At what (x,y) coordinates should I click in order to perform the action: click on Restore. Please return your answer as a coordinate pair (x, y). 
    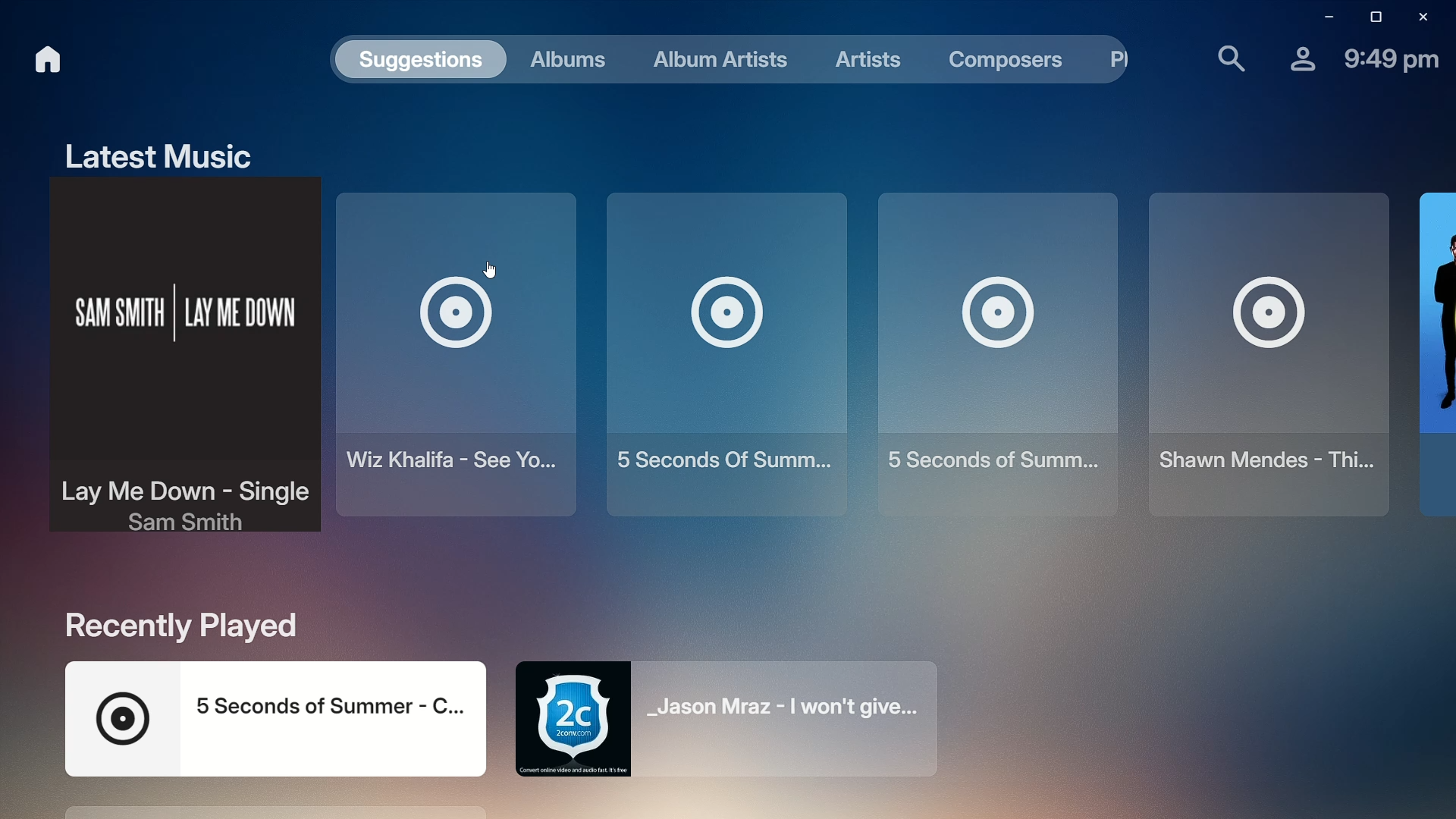
    Looking at the image, I should click on (1371, 17).